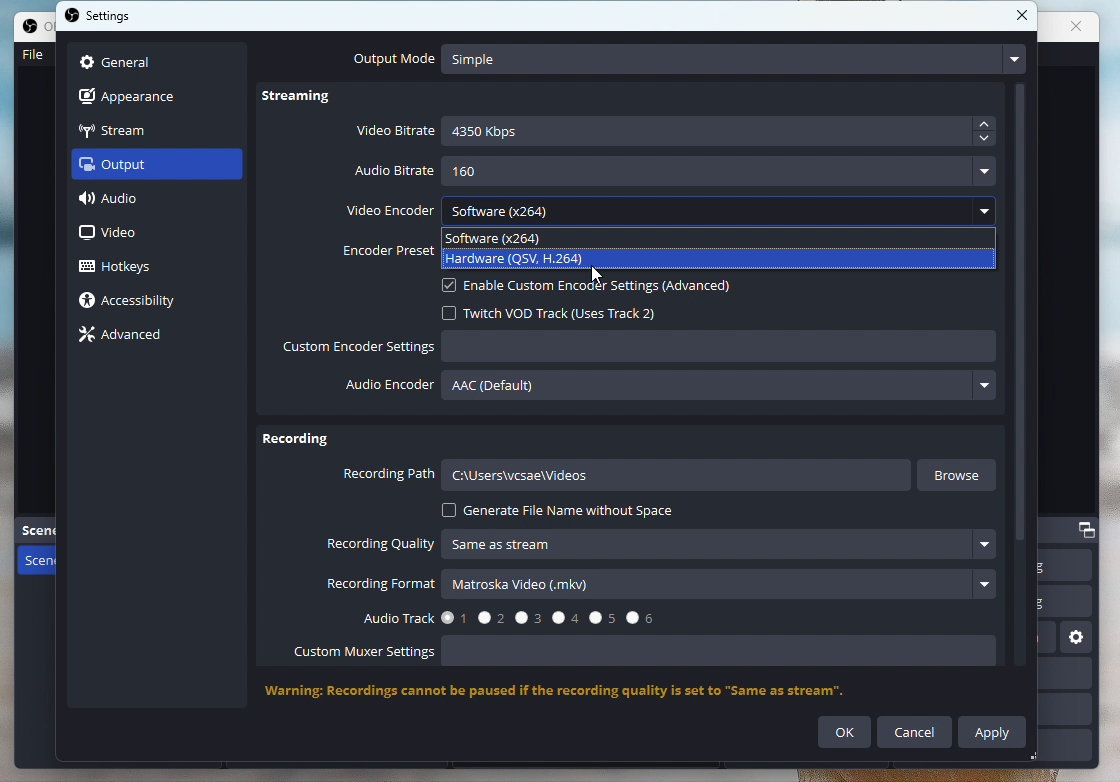  Describe the element at coordinates (131, 168) in the screenshot. I see `output` at that location.